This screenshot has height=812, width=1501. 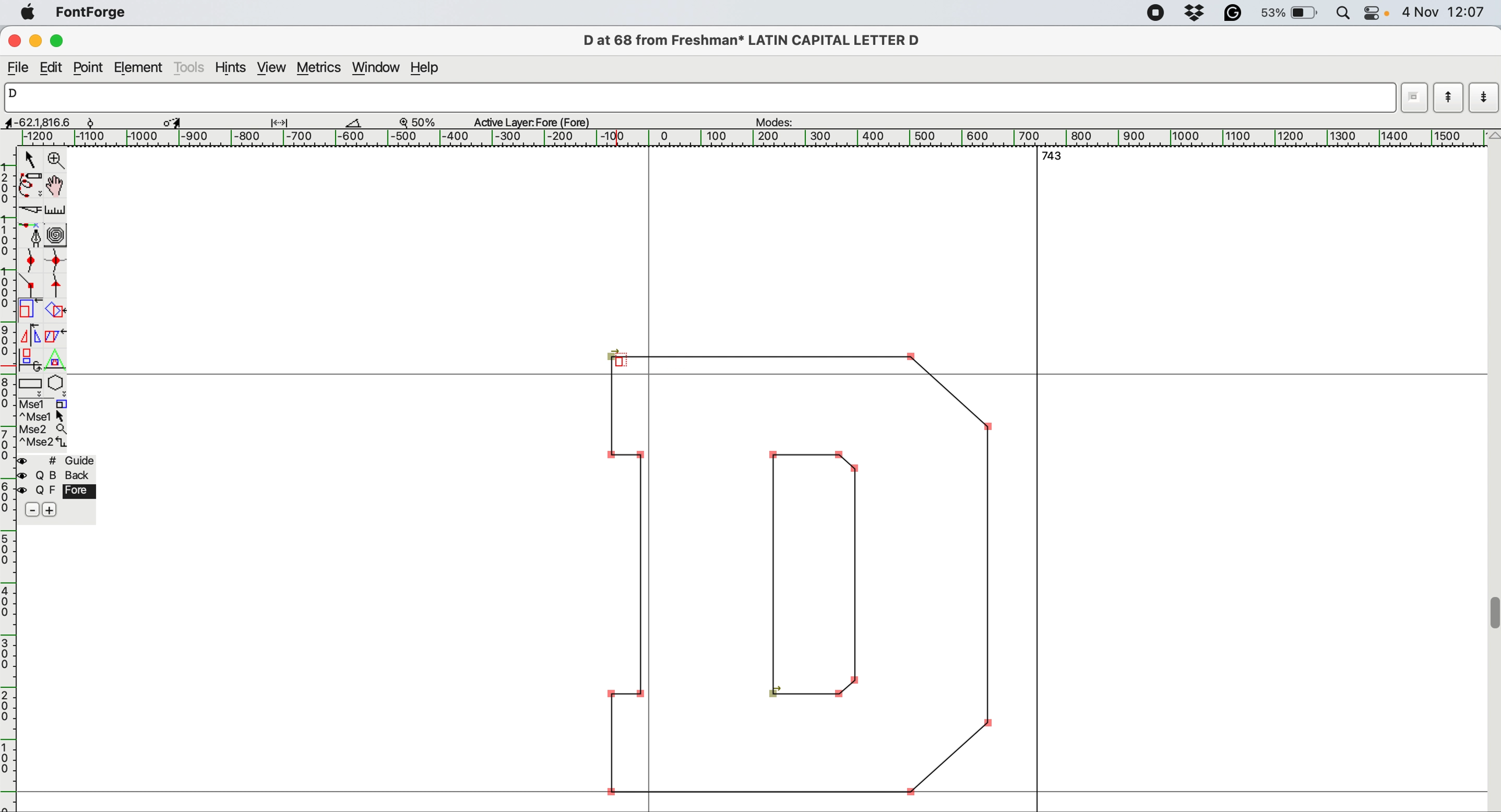 What do you see at coordinates (1291, 13) in the screenshot?
I see `battery` at bounding box center [1291, 13].